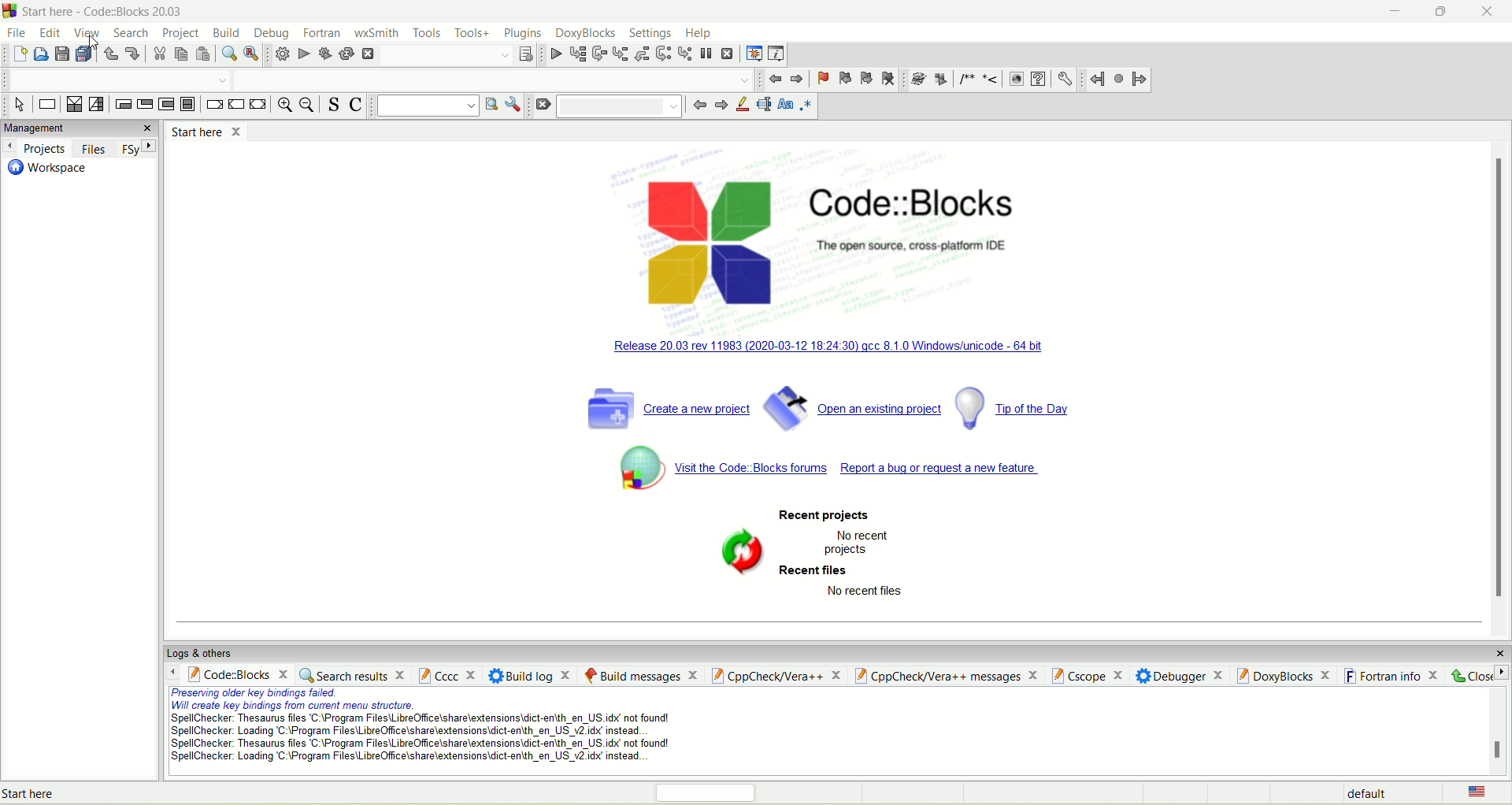  I want to click on minimize, so click(1384, 13).